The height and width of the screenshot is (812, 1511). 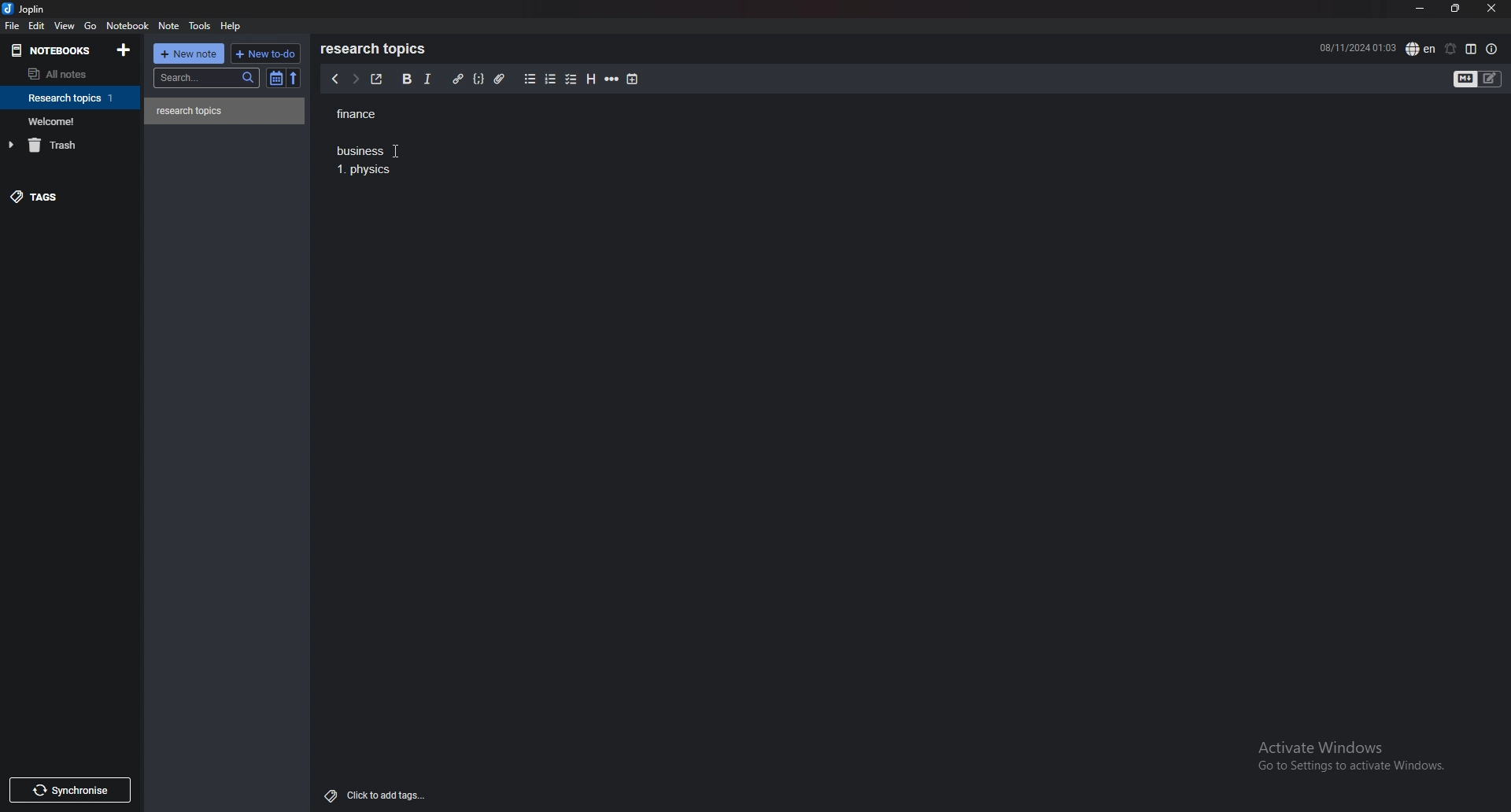 I want to click on minimize, so click(x=1419, y=9).